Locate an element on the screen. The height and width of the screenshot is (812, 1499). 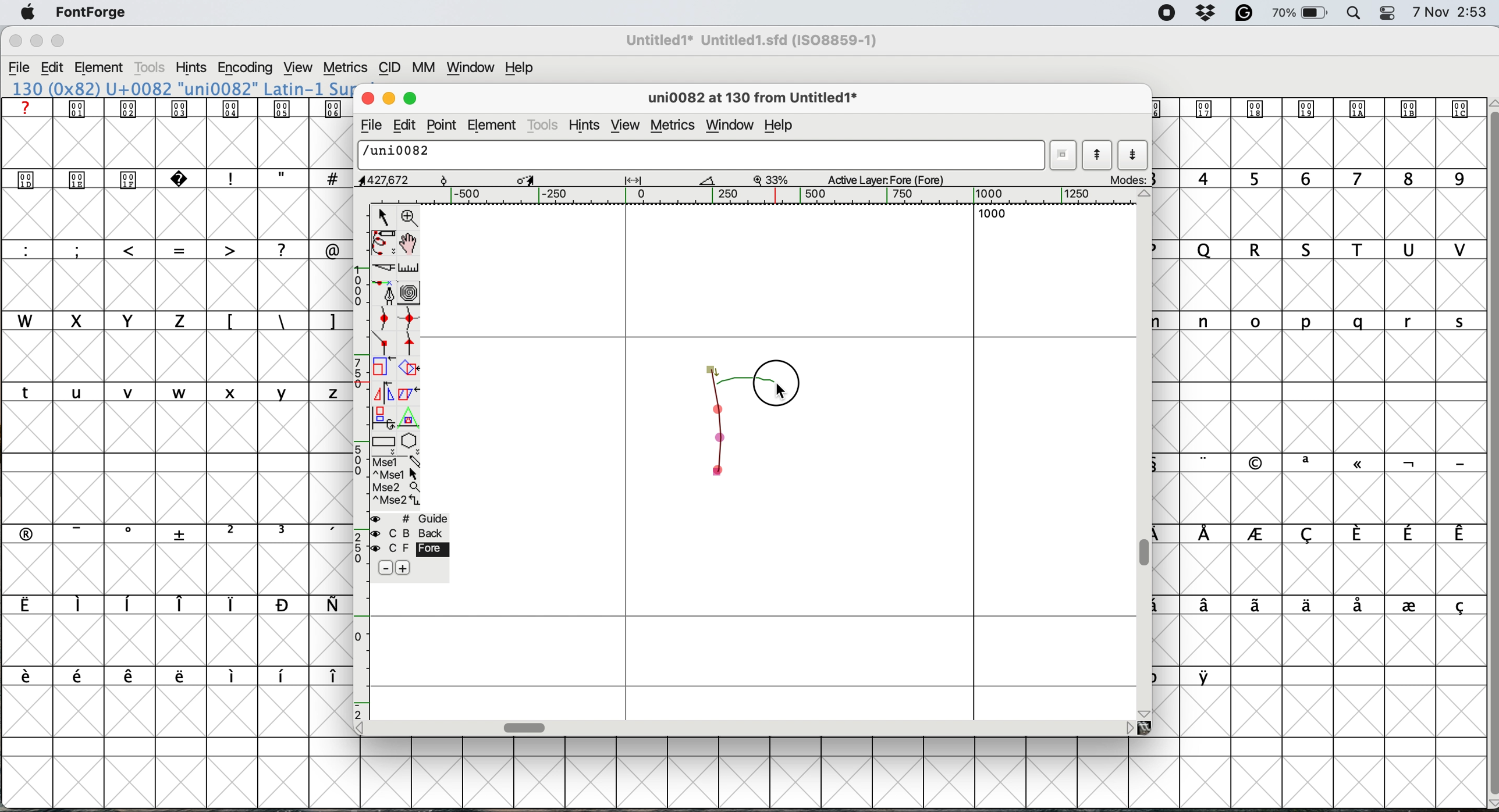
add a curve point horizontally or vertically is located at coordinates (413, 321).